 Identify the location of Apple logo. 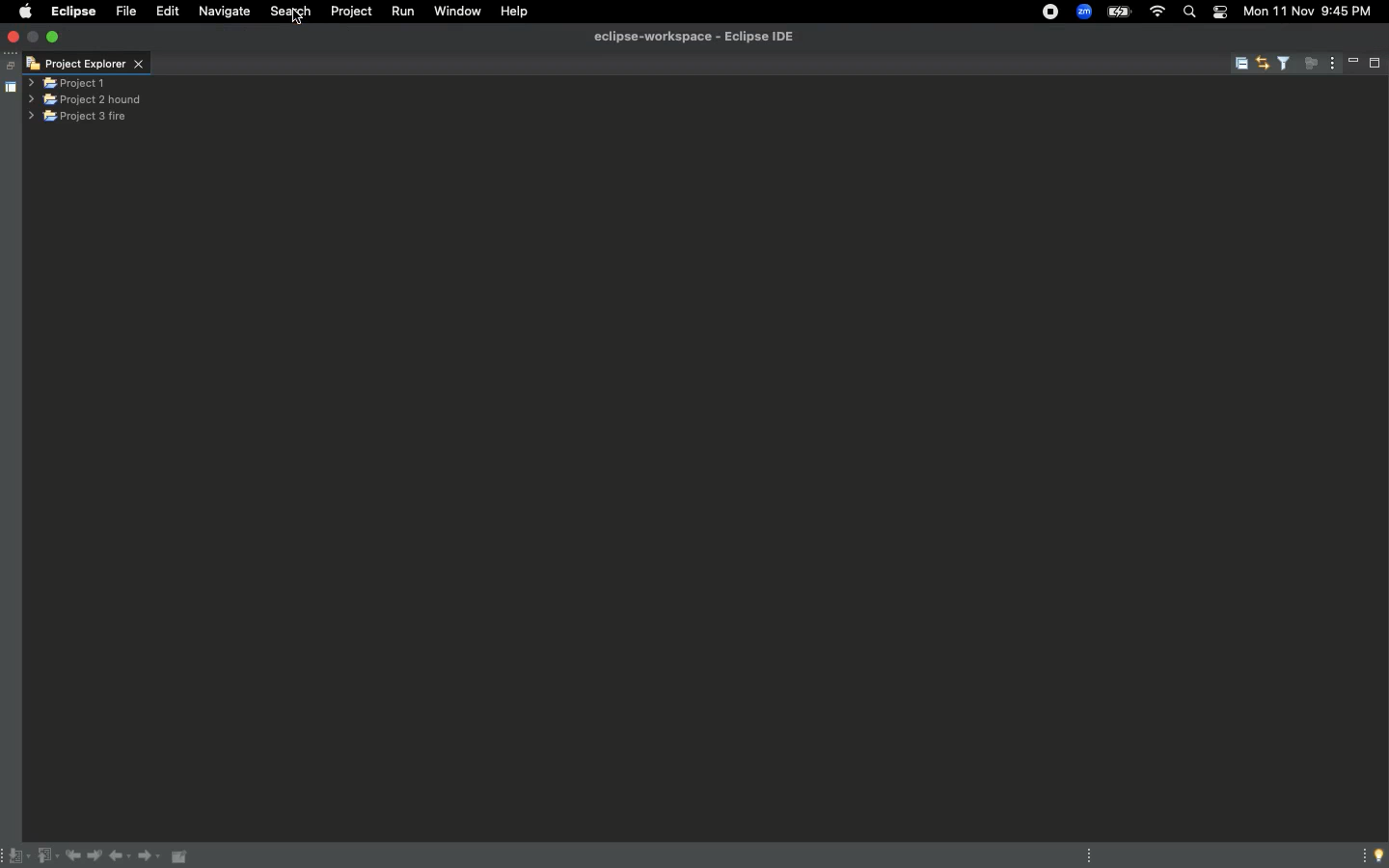
(26, 11).